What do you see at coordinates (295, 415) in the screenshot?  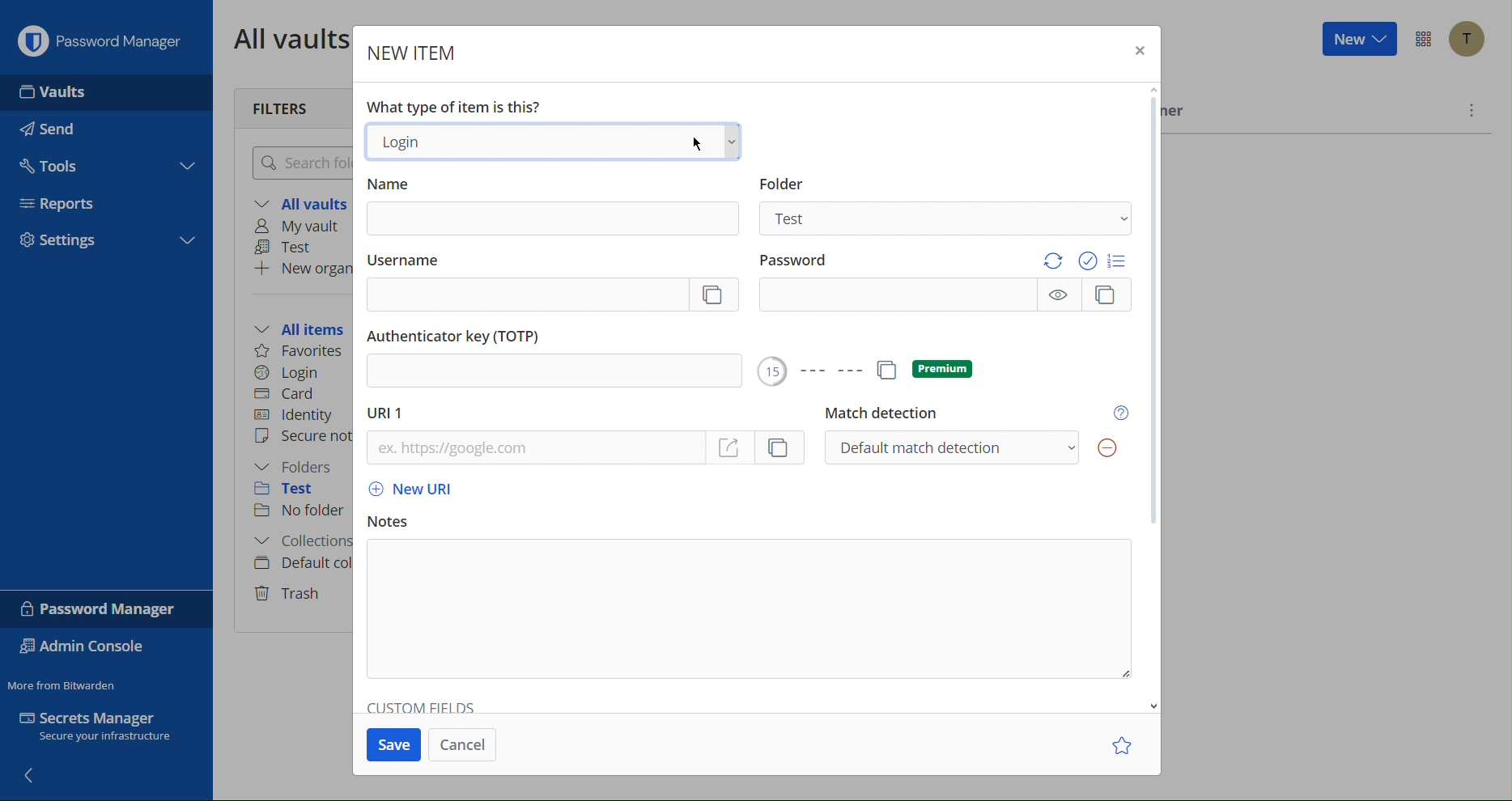 I see `Identity` at bounding box center [295, 415].